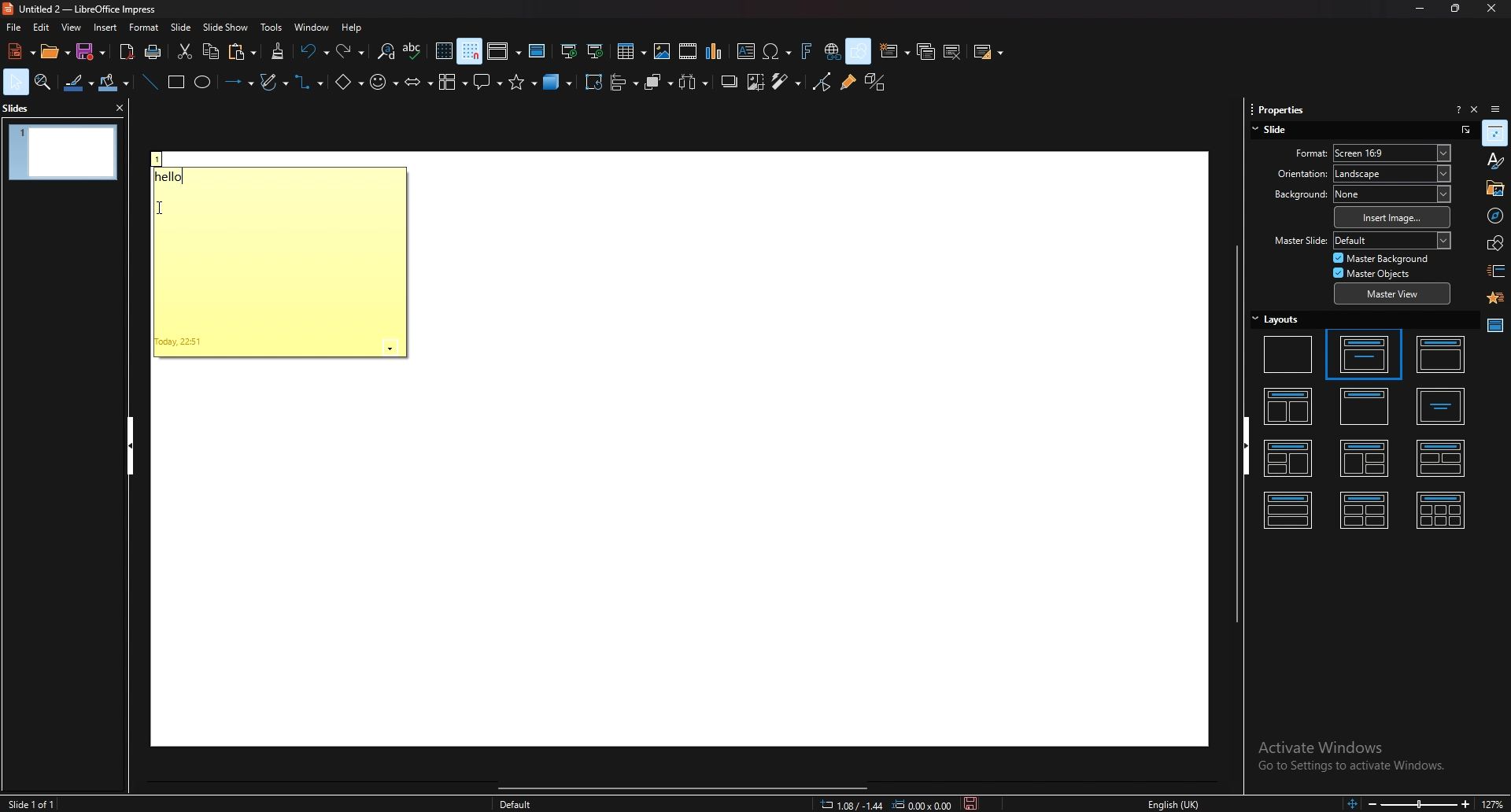 The width and height of the screenshot is (1511, 812). Describe the element at coordinates (1458, 109) in the screenshot. I see `help on sidebar settings` at that location.